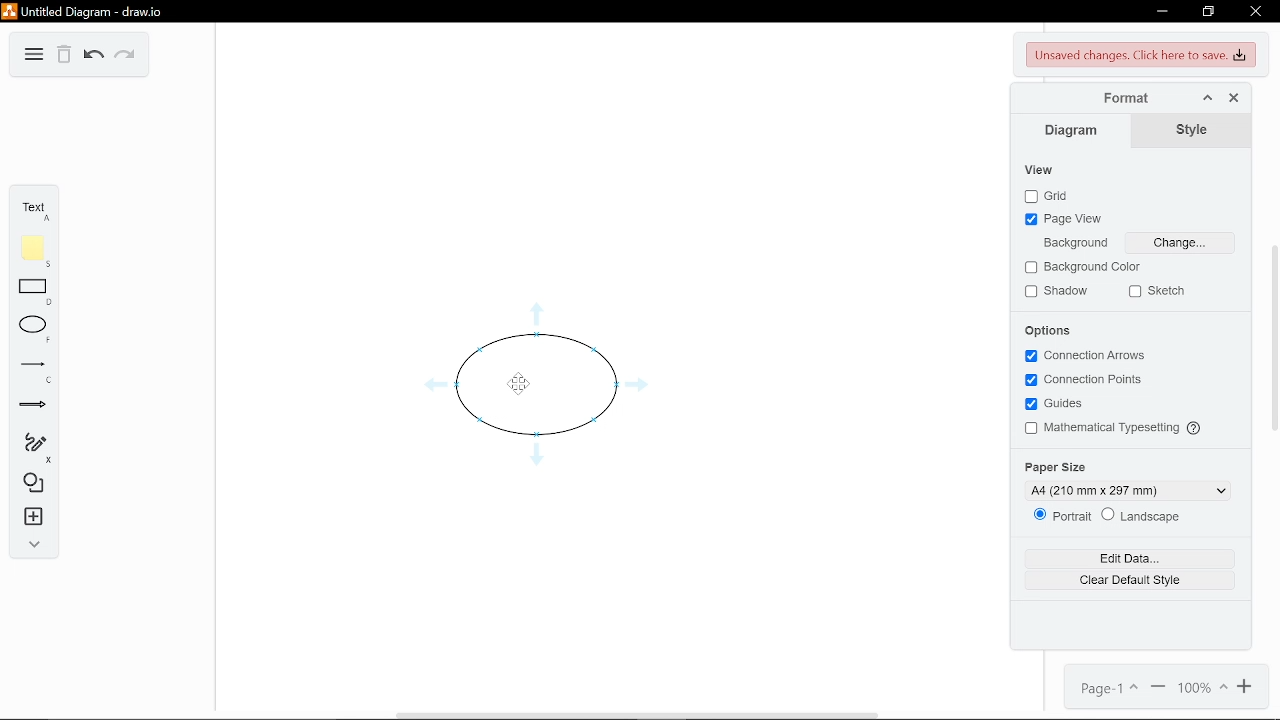  What do you see at coordinates (118, 12) in the screenshot?
I see `Current window` at bounding box center [118, 12].